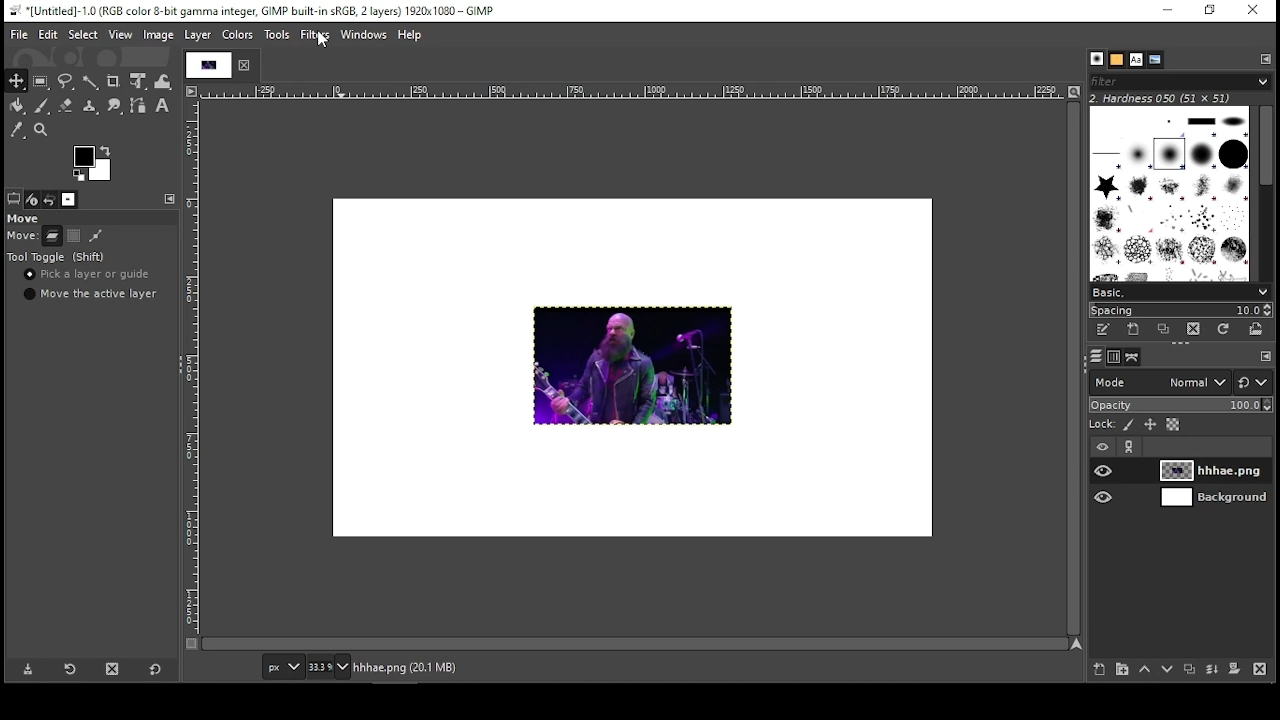  What do you see at coordinates (23, 236) in the screenshot?
I see `move` at bounding box center [23, 236].